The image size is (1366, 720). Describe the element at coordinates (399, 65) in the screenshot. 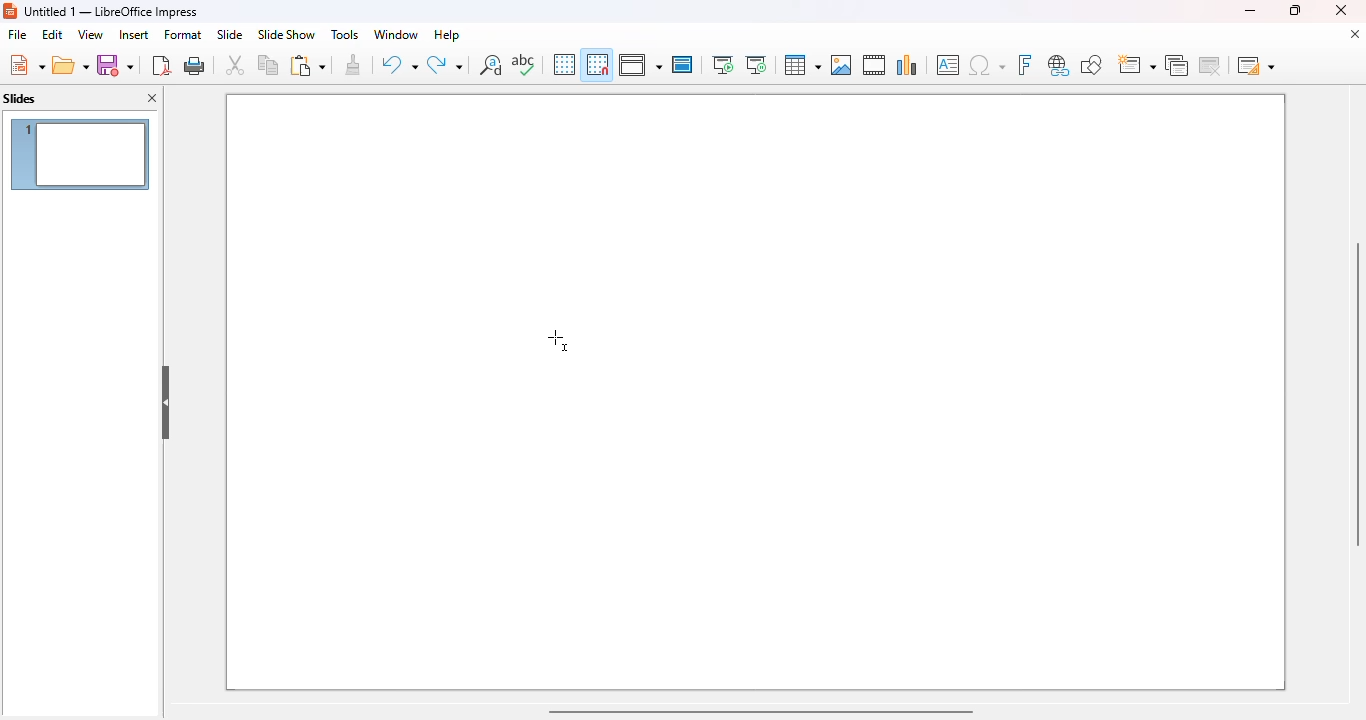

I see `undo` at that location.